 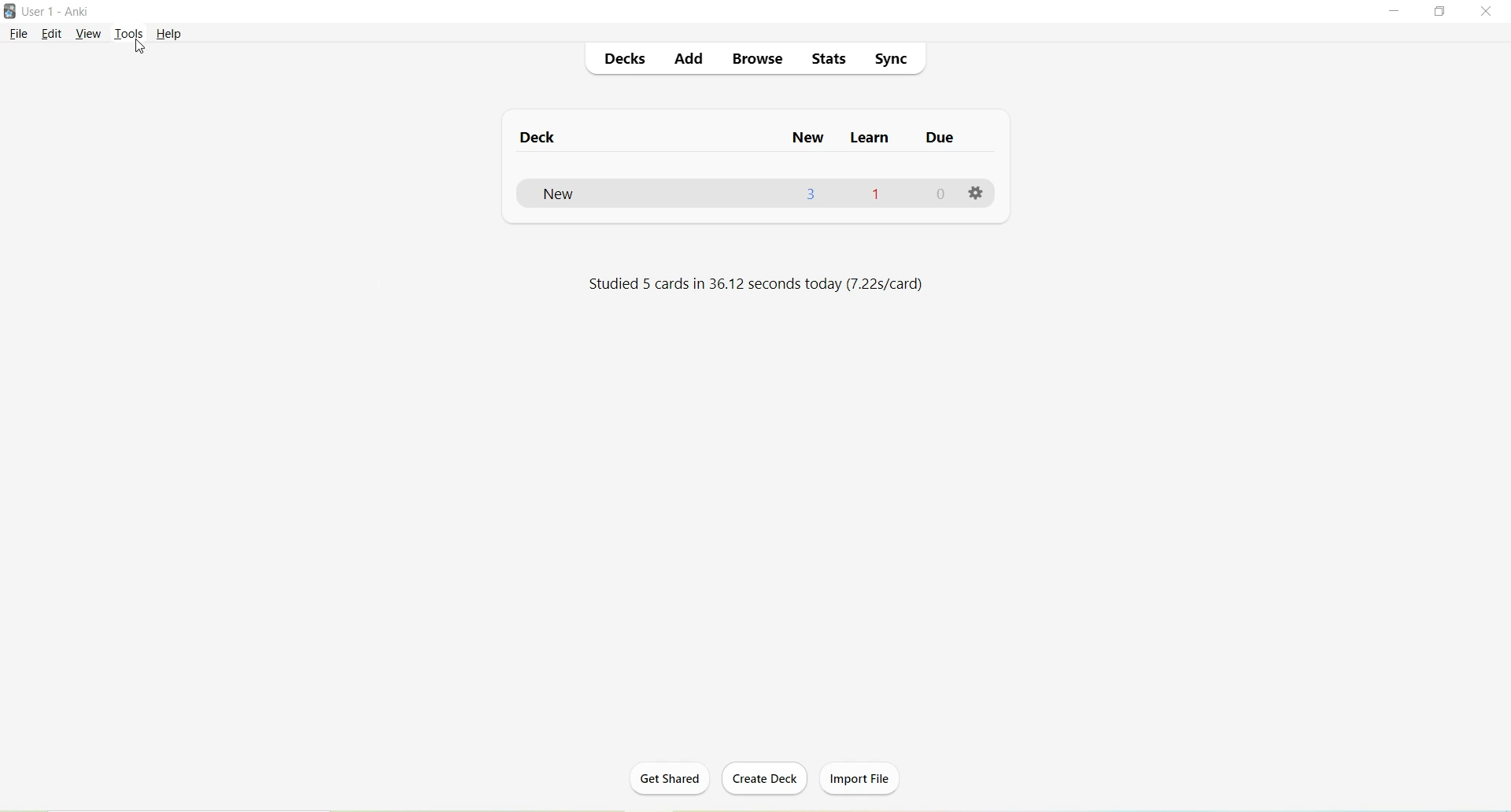 What do you see at coordinates (58, 13) in the screenshot?
I see `User 1 - Anki` at bounding box center [58, 13].